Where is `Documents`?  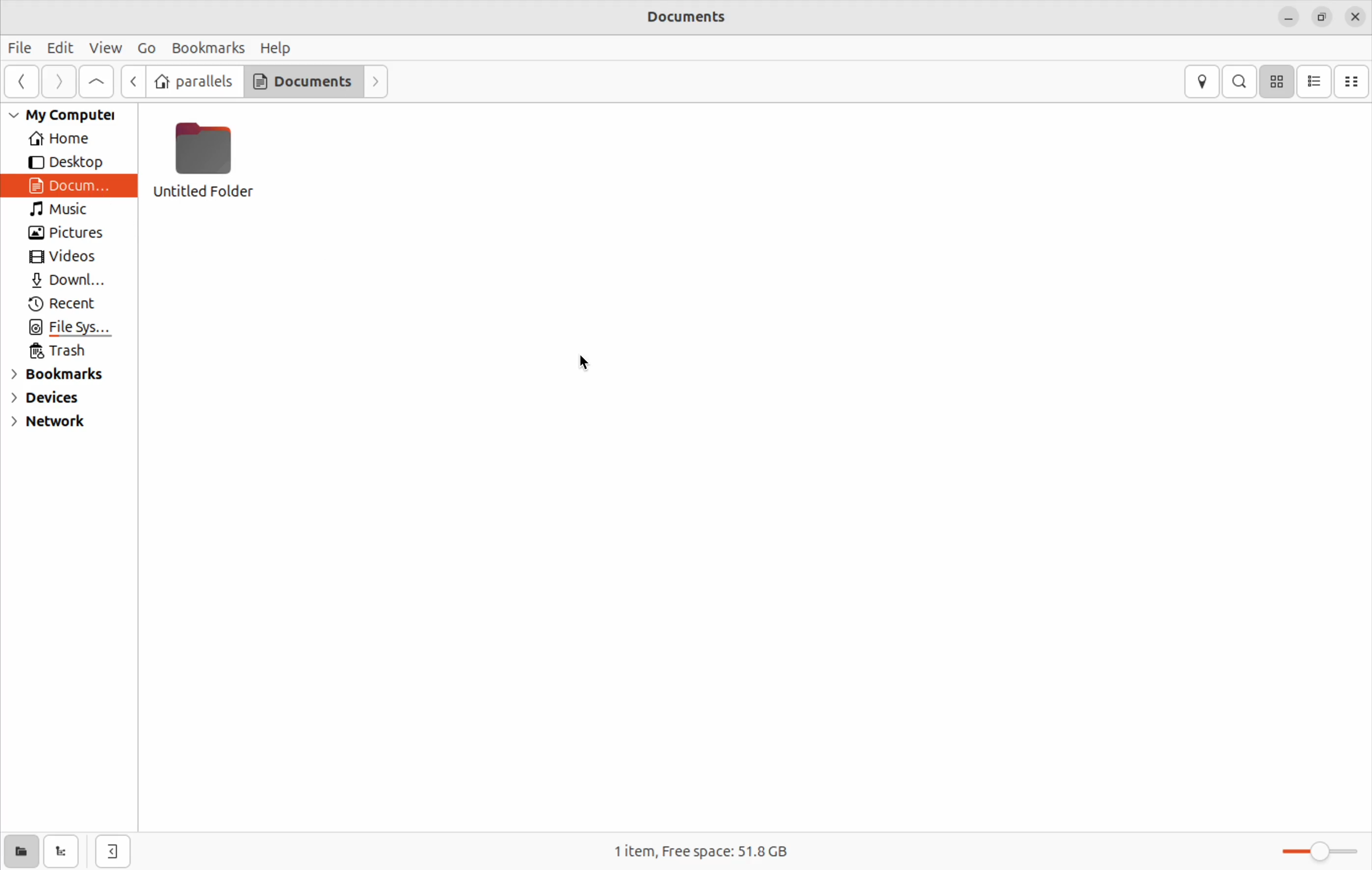 Documents is located at coordinates (692, 19).